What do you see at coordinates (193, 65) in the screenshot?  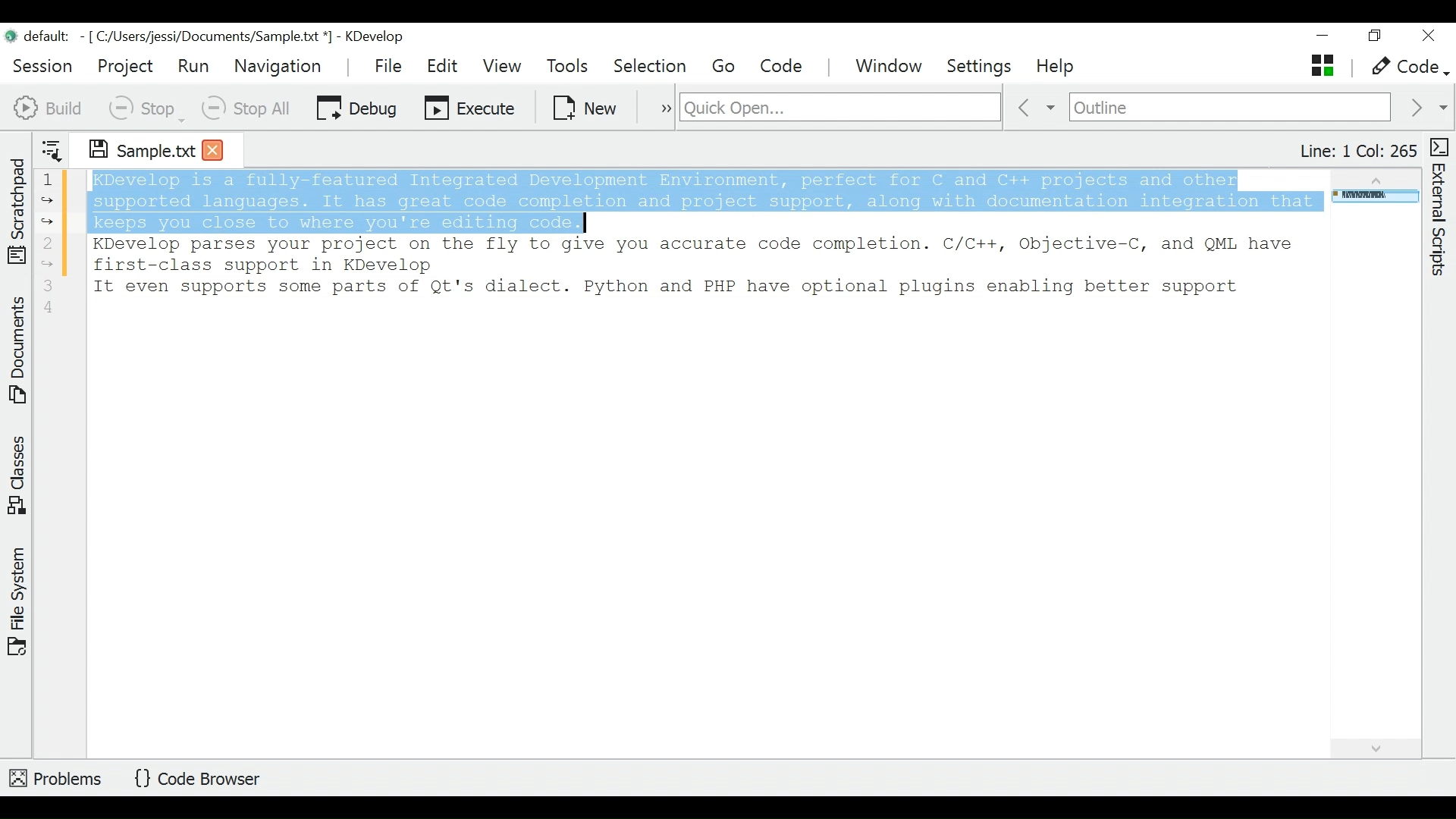 I see `Run` at bounding box center [193, 65].